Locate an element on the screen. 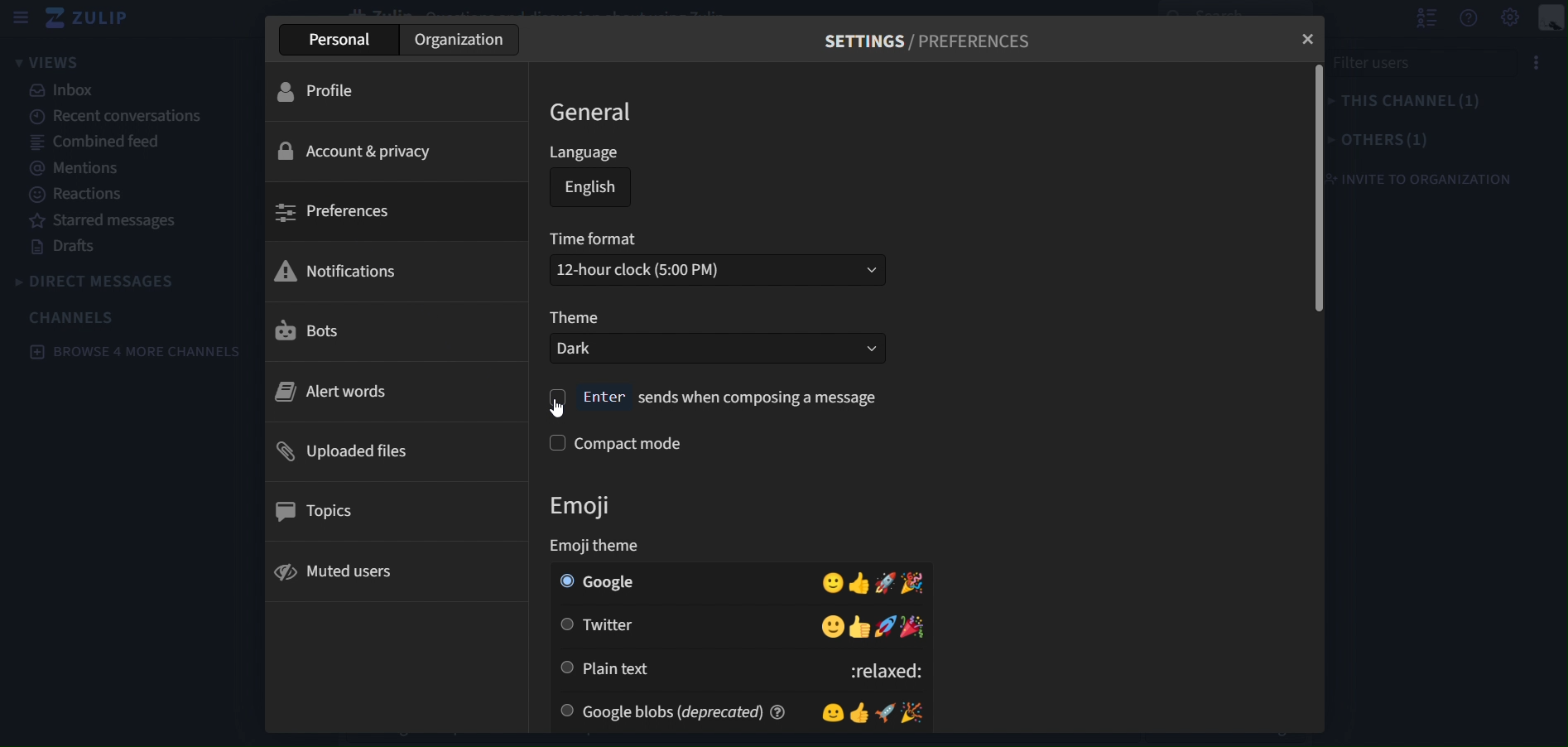  reactions is located at coordinates (84, 195).